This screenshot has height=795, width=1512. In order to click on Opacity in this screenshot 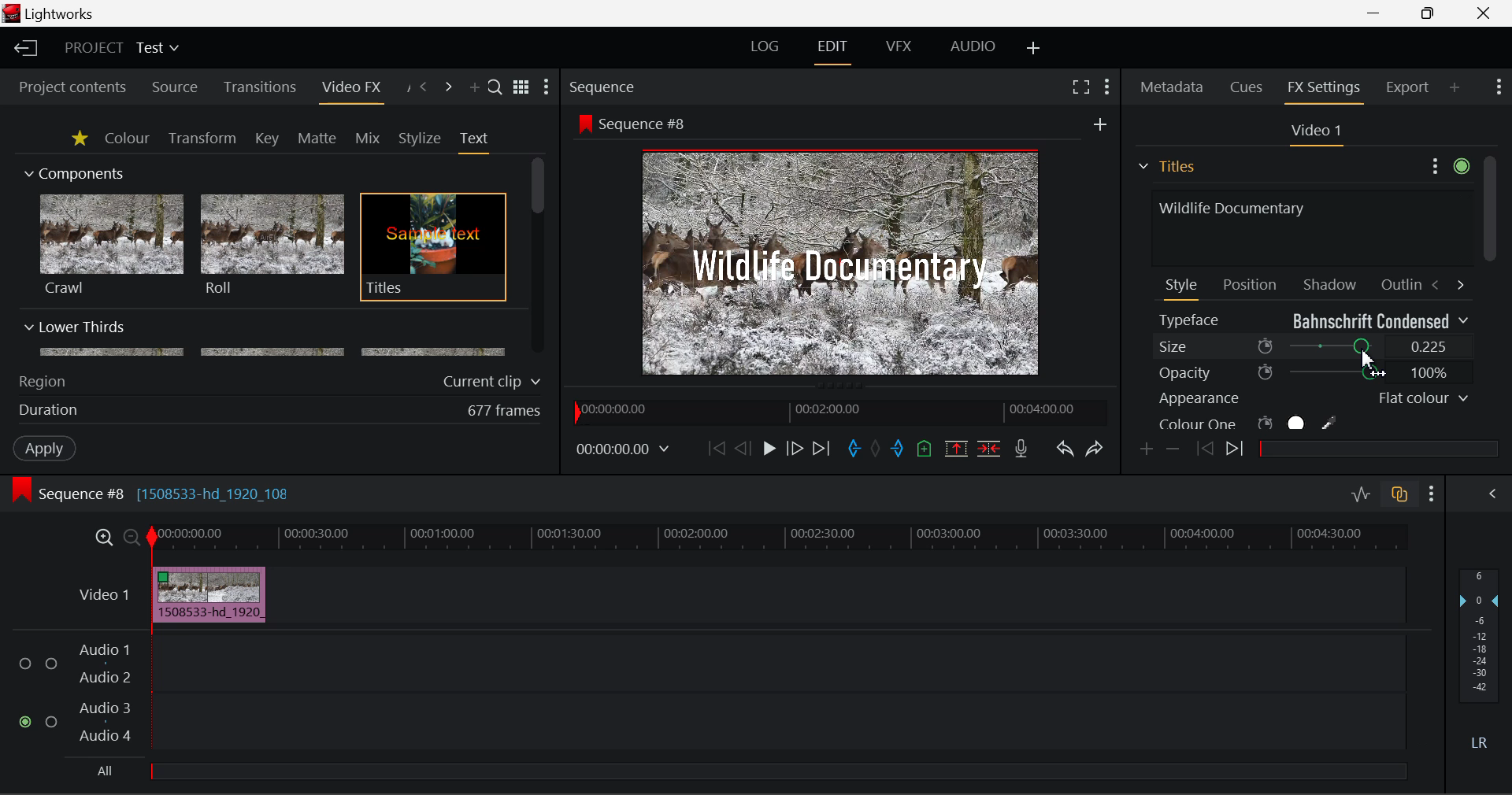, I will do `click(1314, 372)`.